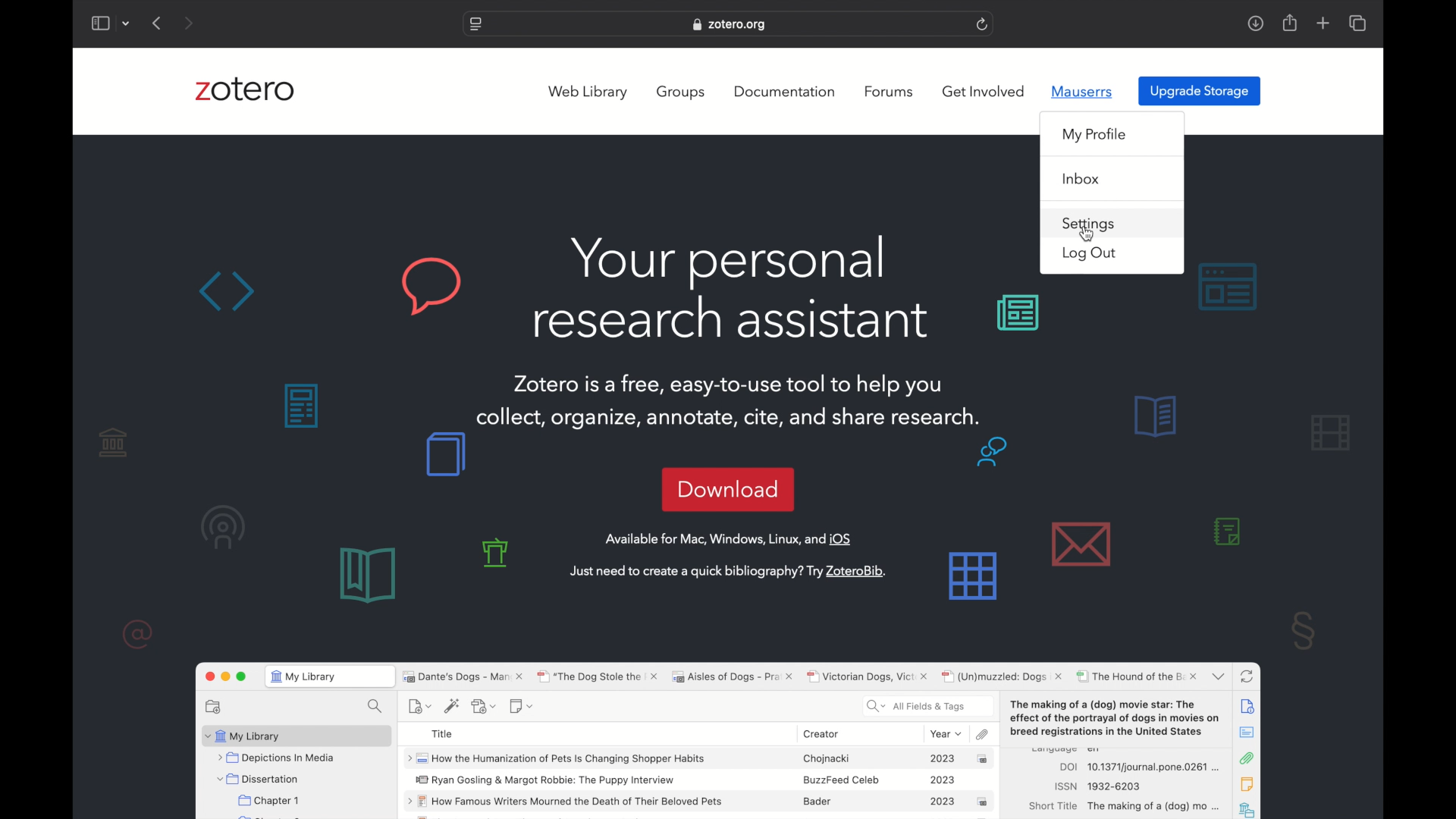 The width and height of the screenshot is (1456, 819). Describe the element at coordinates (1255, 521) in the screenshot. I see `background graphics` at that location.